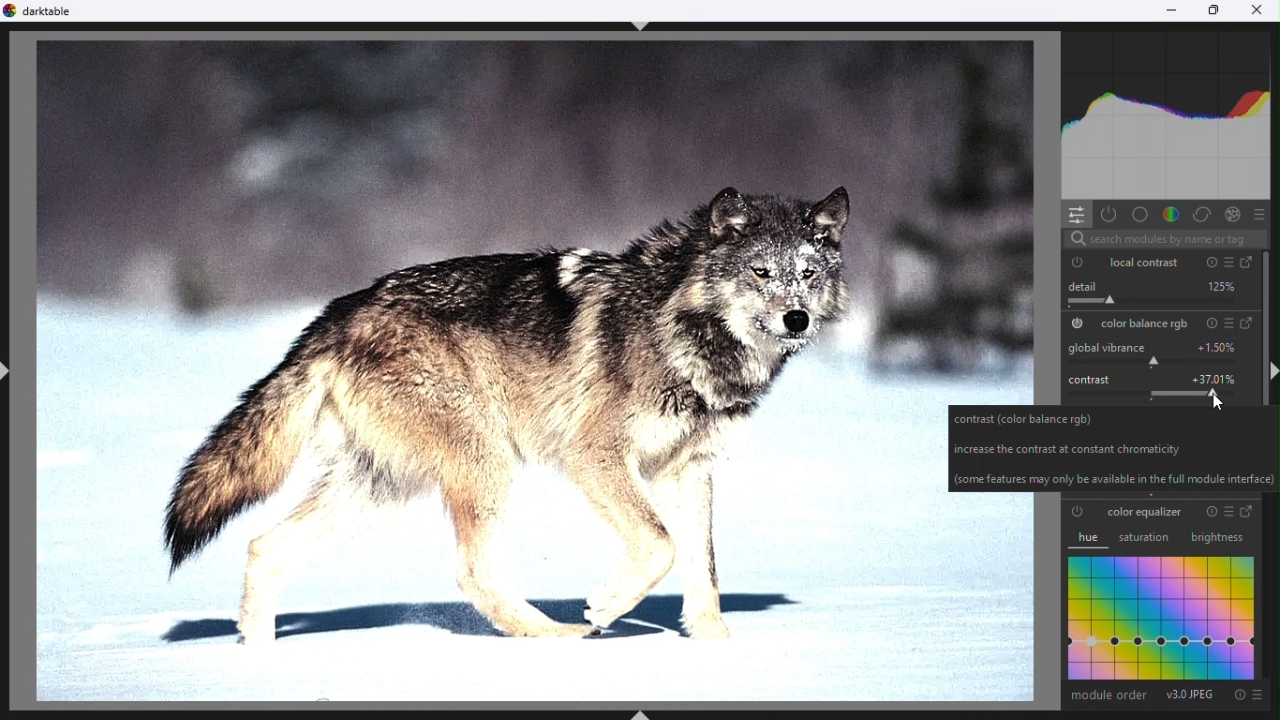  Describe the element at coordinates (1239, 695) in the screenshot. I see `reset` at that location.